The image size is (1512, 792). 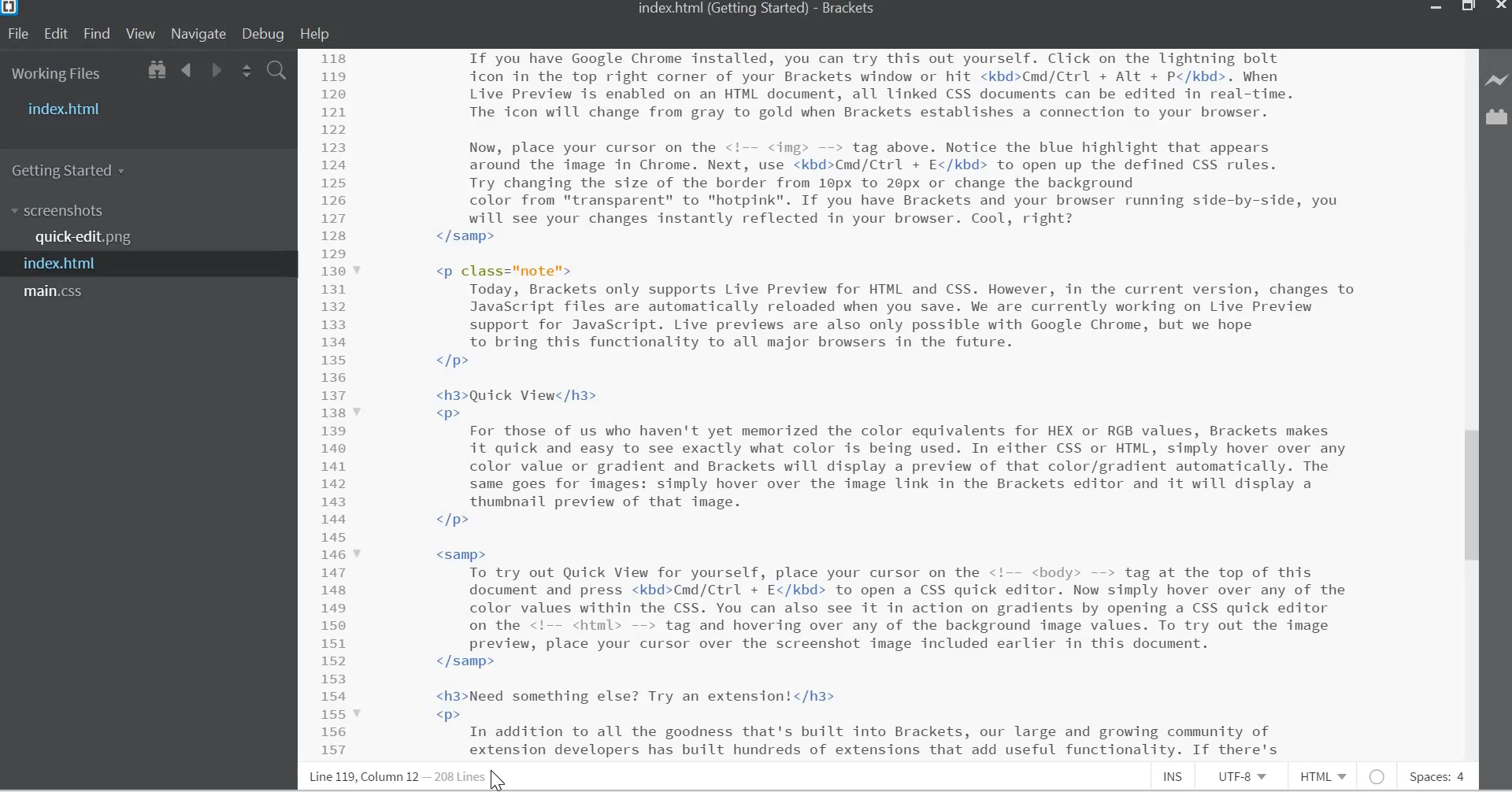 I want to click on Split the editor vertically or horizontally, so click(x=247, y=72).